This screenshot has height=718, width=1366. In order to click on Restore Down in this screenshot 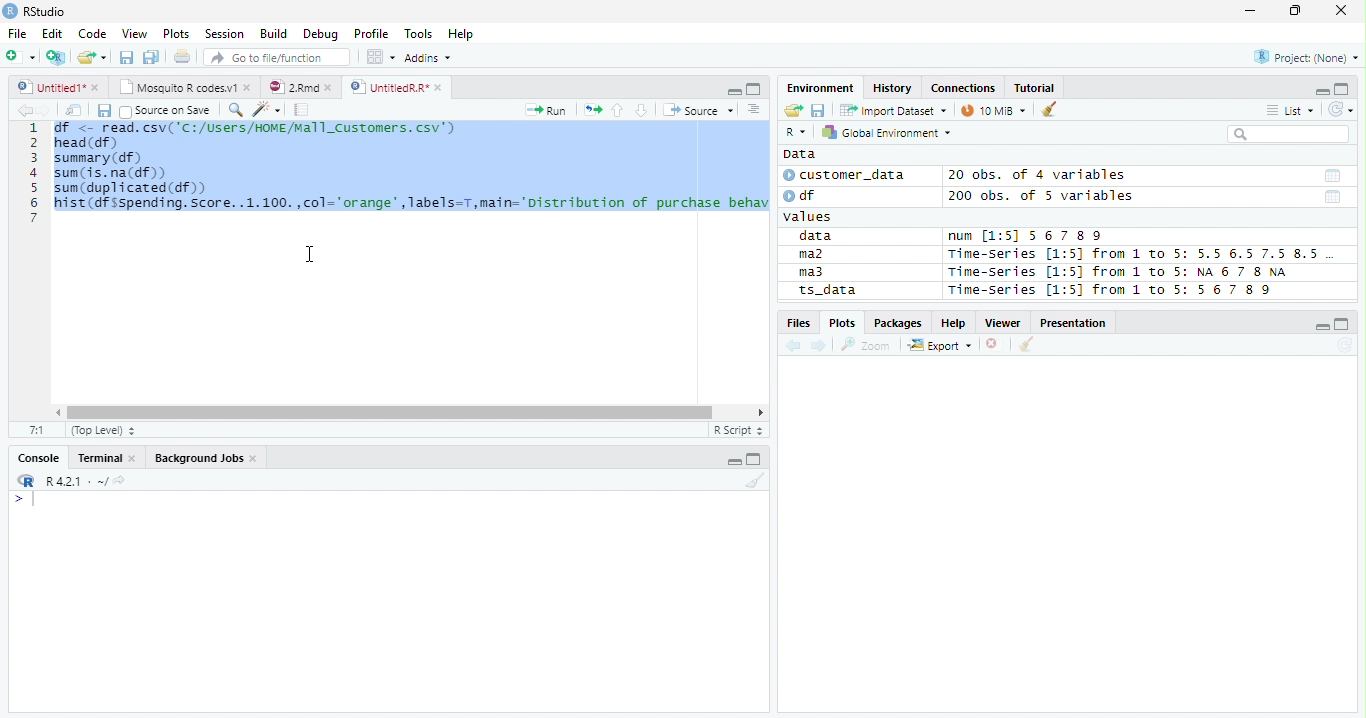, I will do `click(1298, 11)`.